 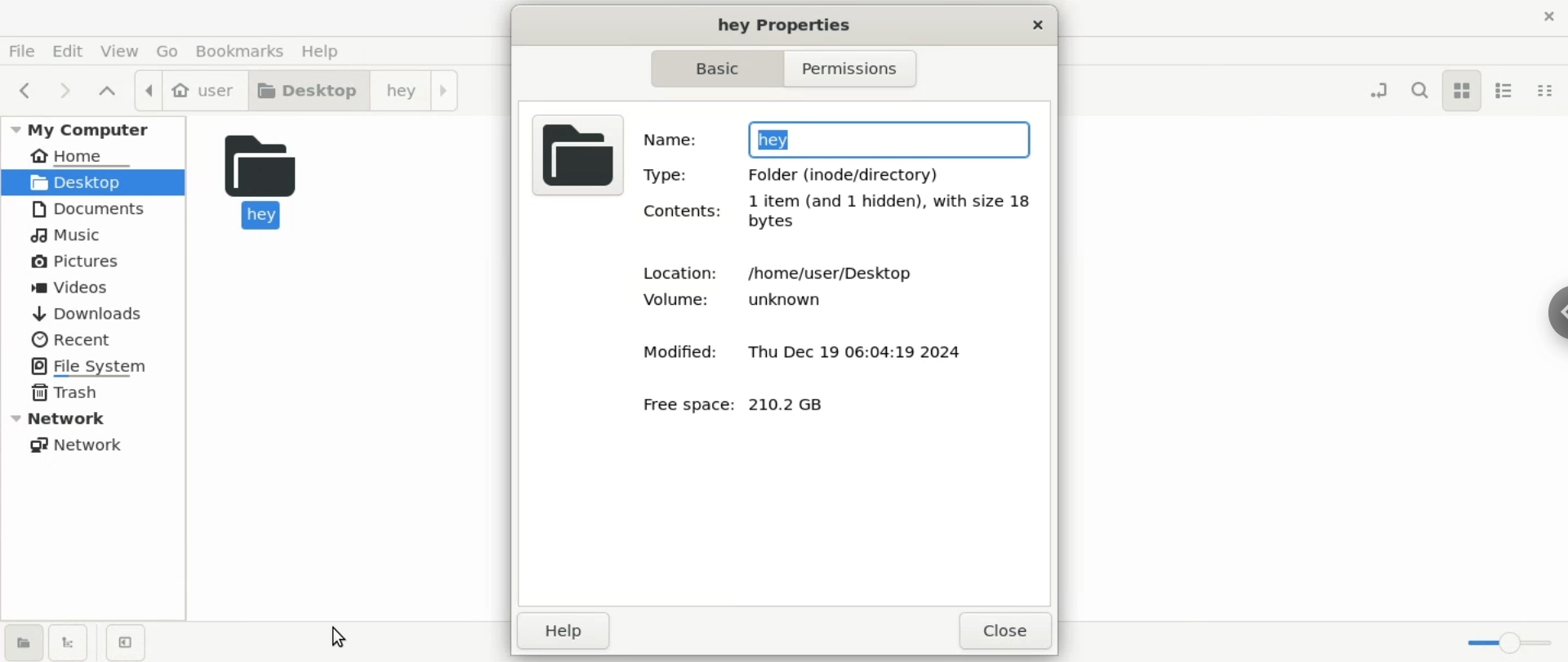 I want to click on toggle location entry , so click(x=1375, y=86).